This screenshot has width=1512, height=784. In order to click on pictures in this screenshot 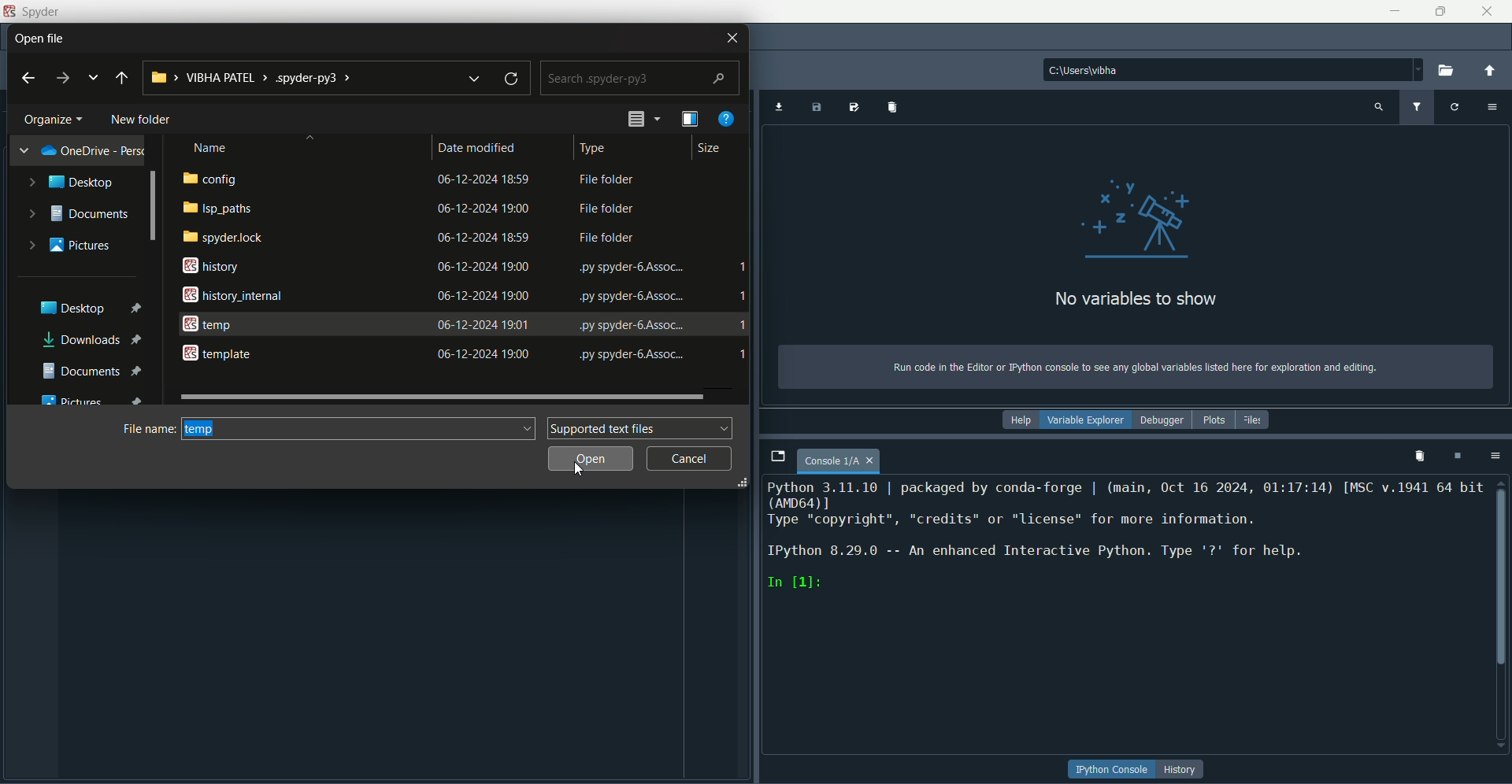, I will do `click(72, 244)`.